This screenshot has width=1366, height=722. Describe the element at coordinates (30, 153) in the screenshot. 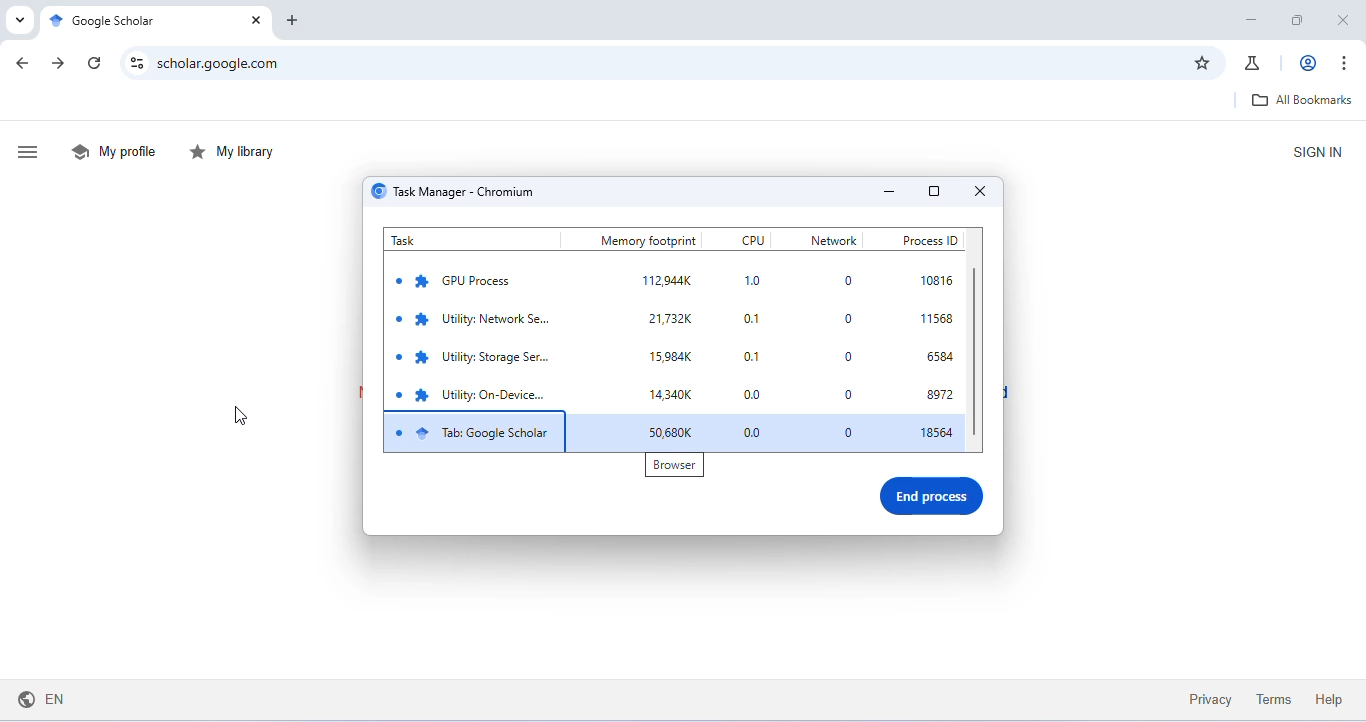

I see `show side bar` at that location.